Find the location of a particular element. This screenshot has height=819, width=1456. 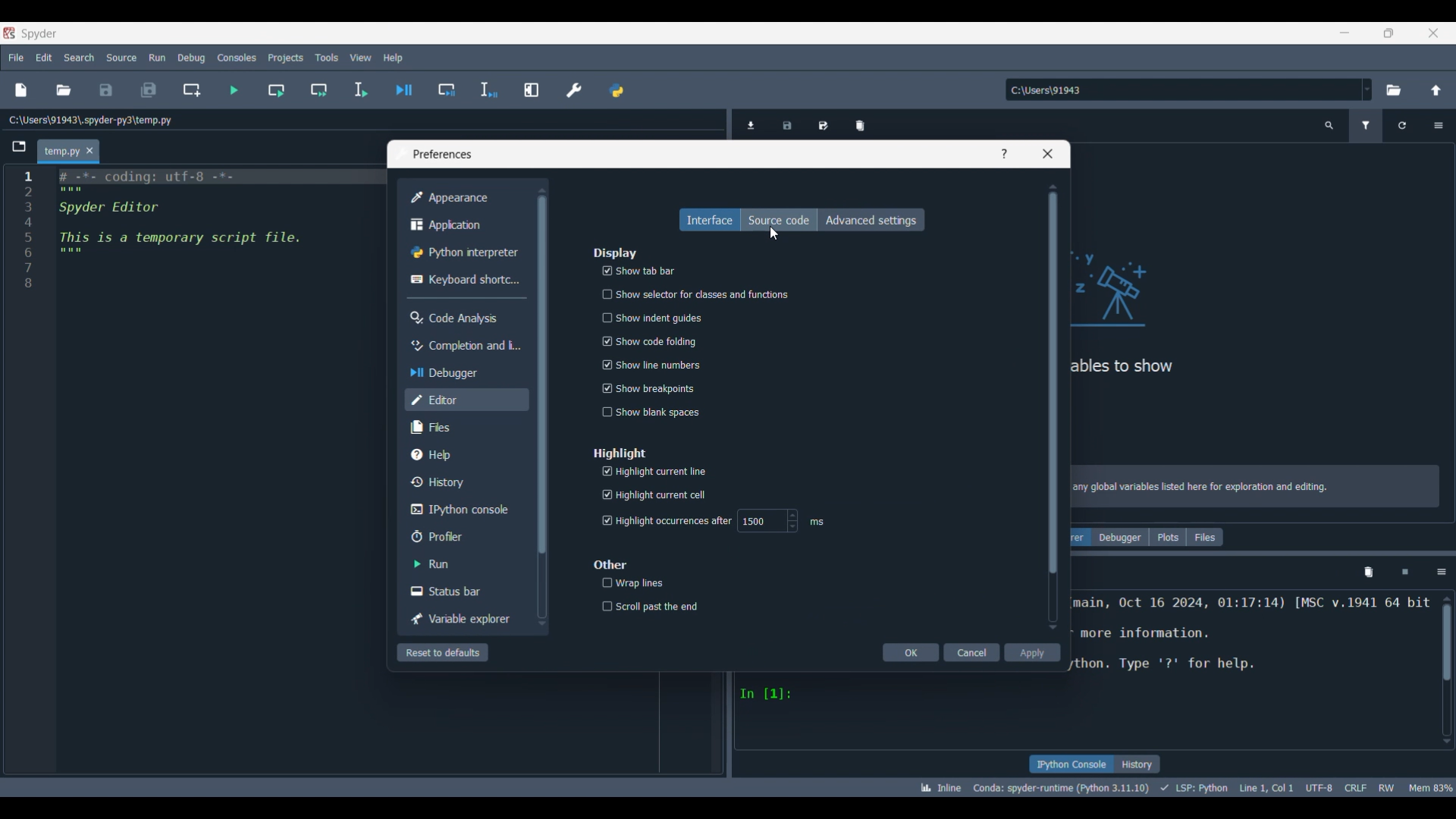

Run menu is located at coordinates (158, 58).